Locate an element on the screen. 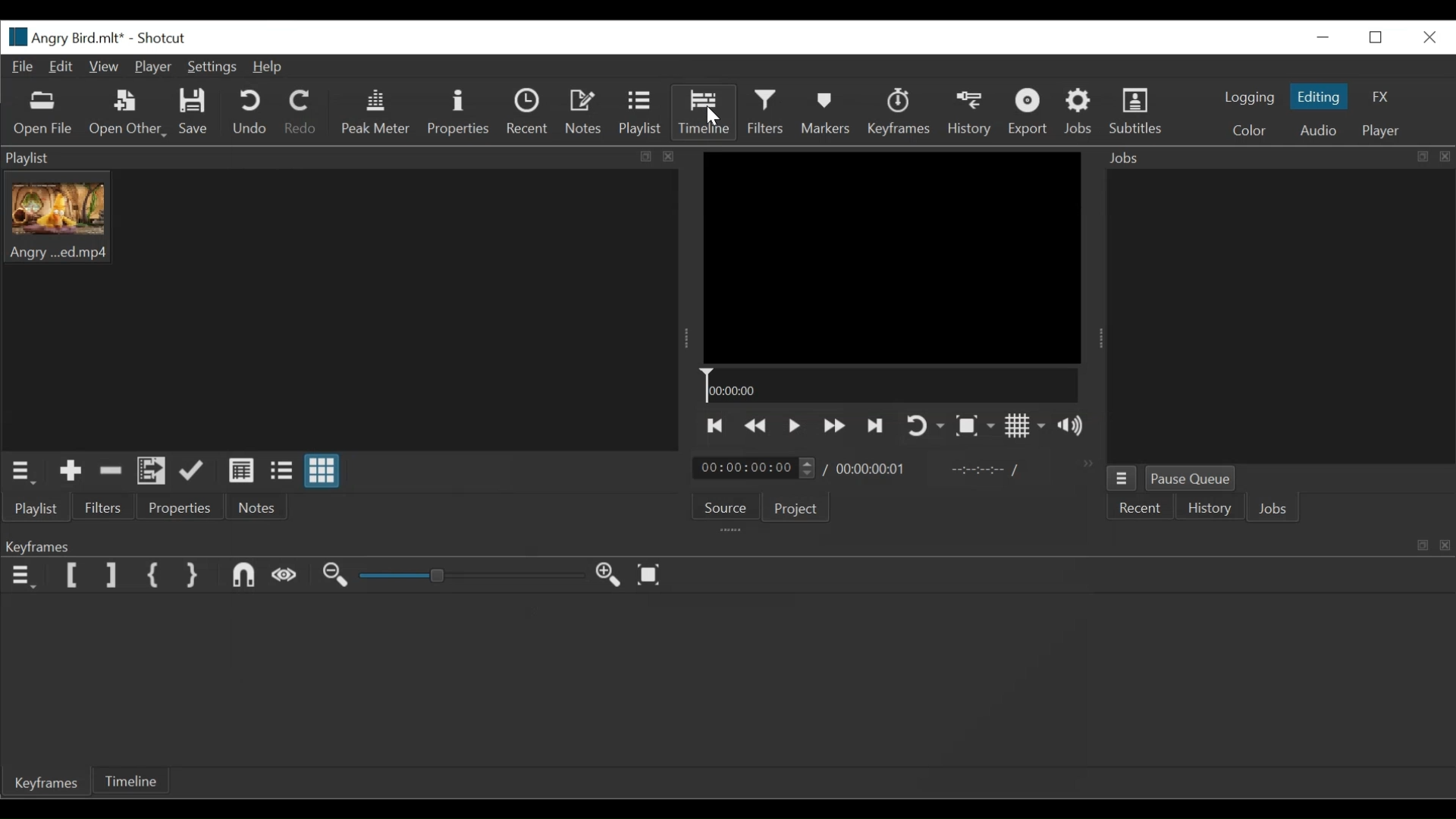 The width and height of the screenshot is (1456, 819). Zoom timeline in is located at coordinates (610, 576).